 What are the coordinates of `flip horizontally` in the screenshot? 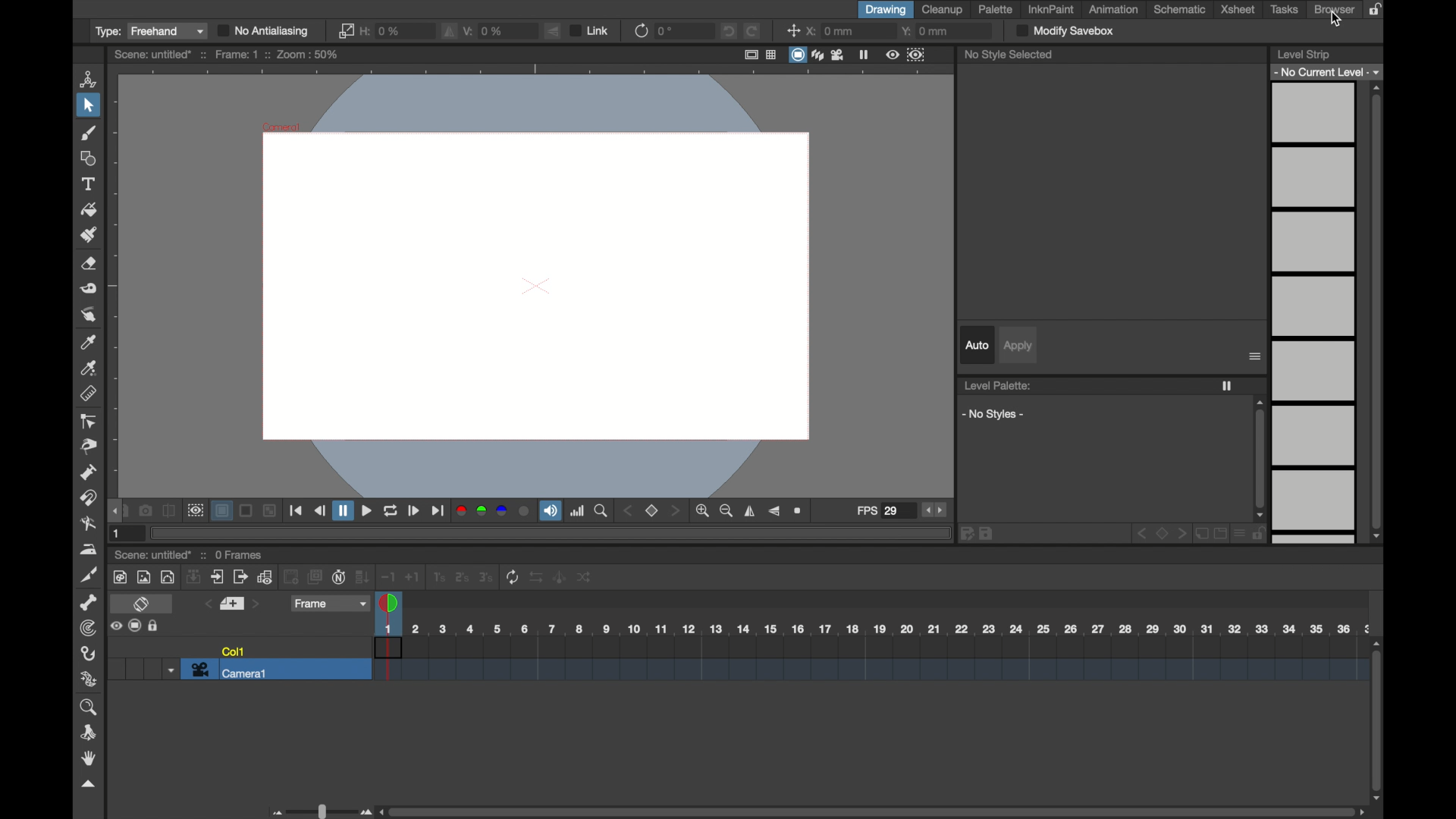 It's located at (750, 511).